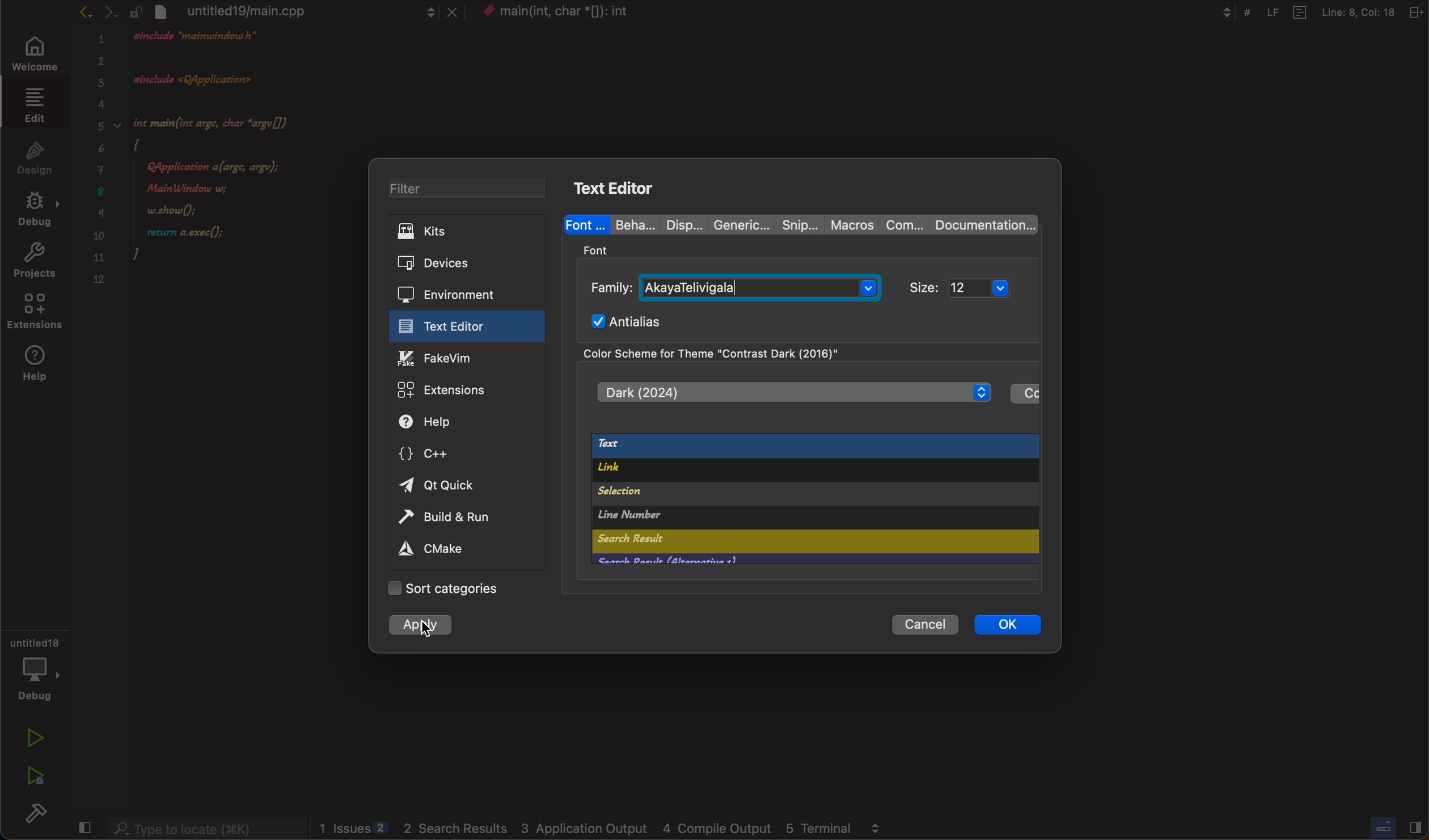 The height and width of the screenshot is (840, 1429). I want to click on com, so click(904, 226).